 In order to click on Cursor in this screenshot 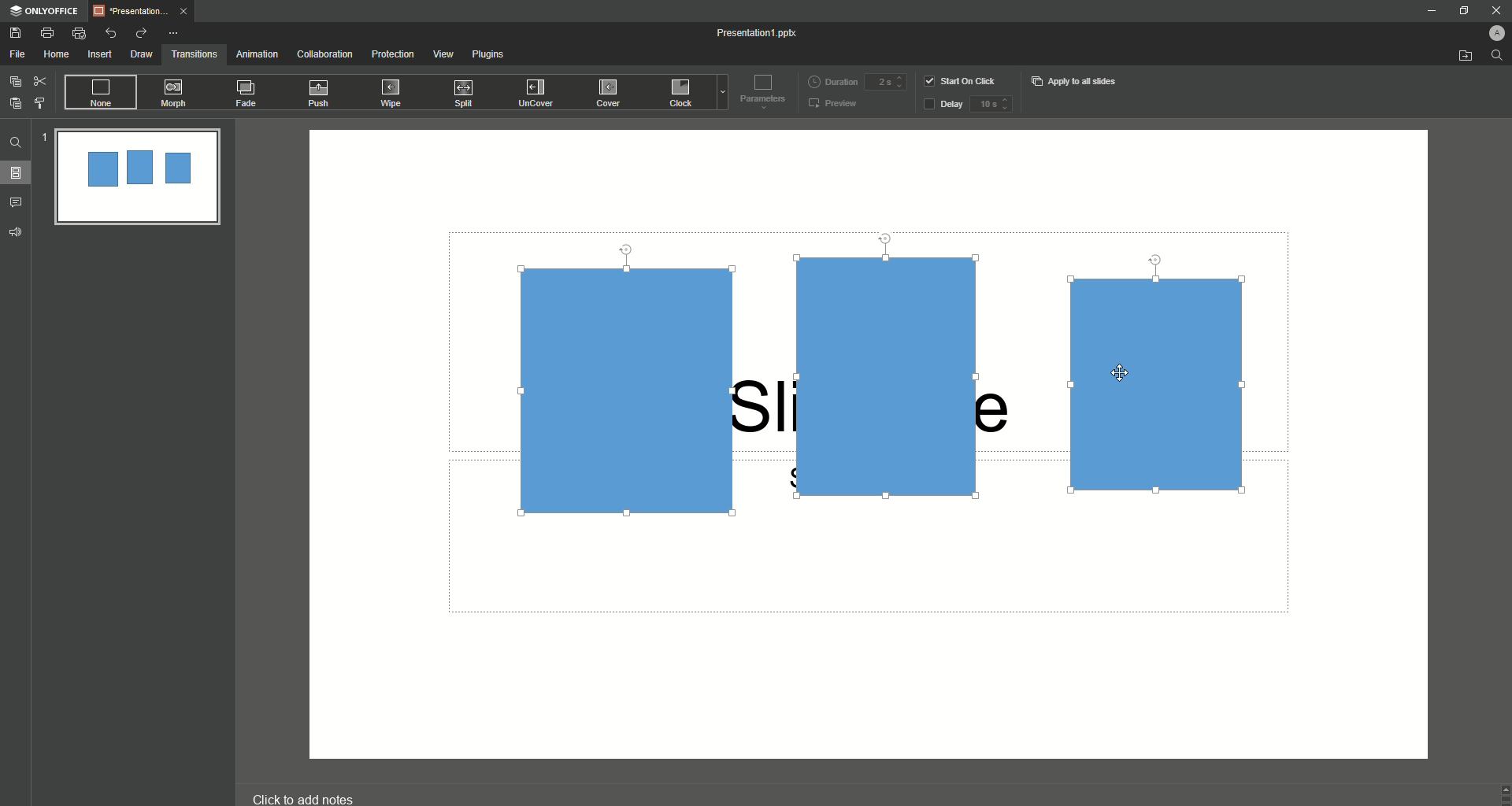, I will do `click(1123, 373)`.